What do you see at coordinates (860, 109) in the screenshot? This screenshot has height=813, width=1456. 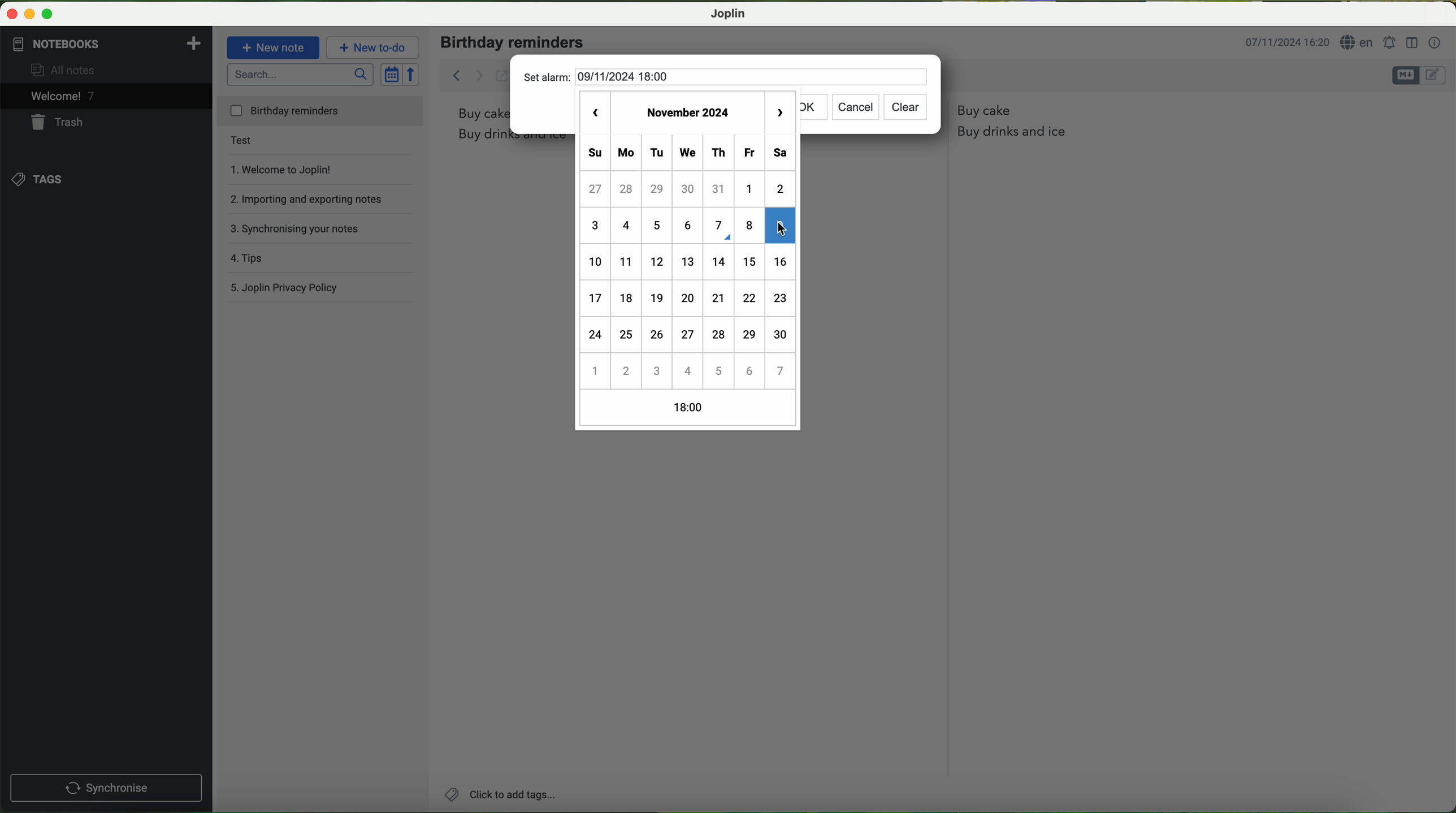 I see `cancel` at bounding box center [860, 109].